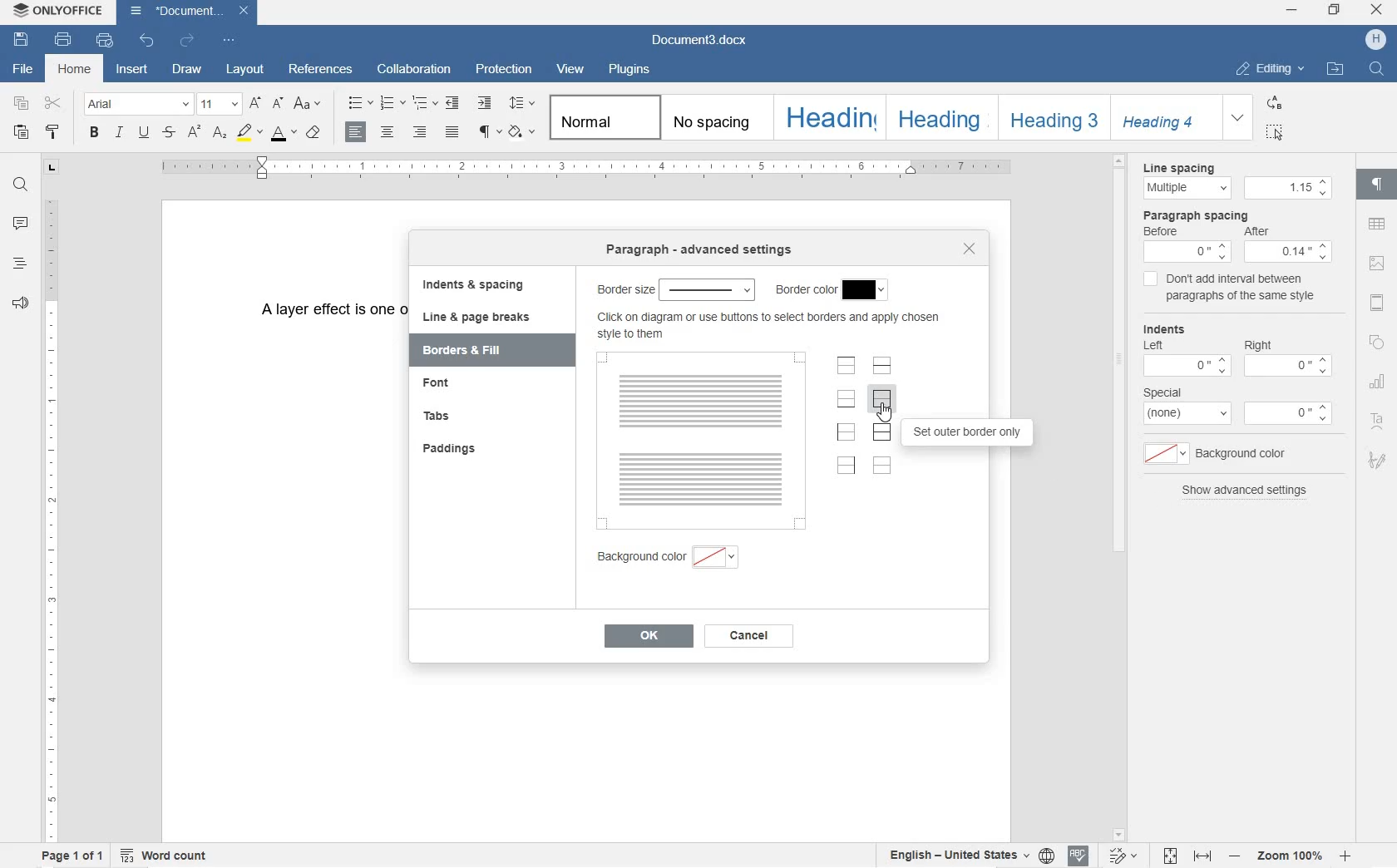  I want to click on BULLET, so click(358, 104).